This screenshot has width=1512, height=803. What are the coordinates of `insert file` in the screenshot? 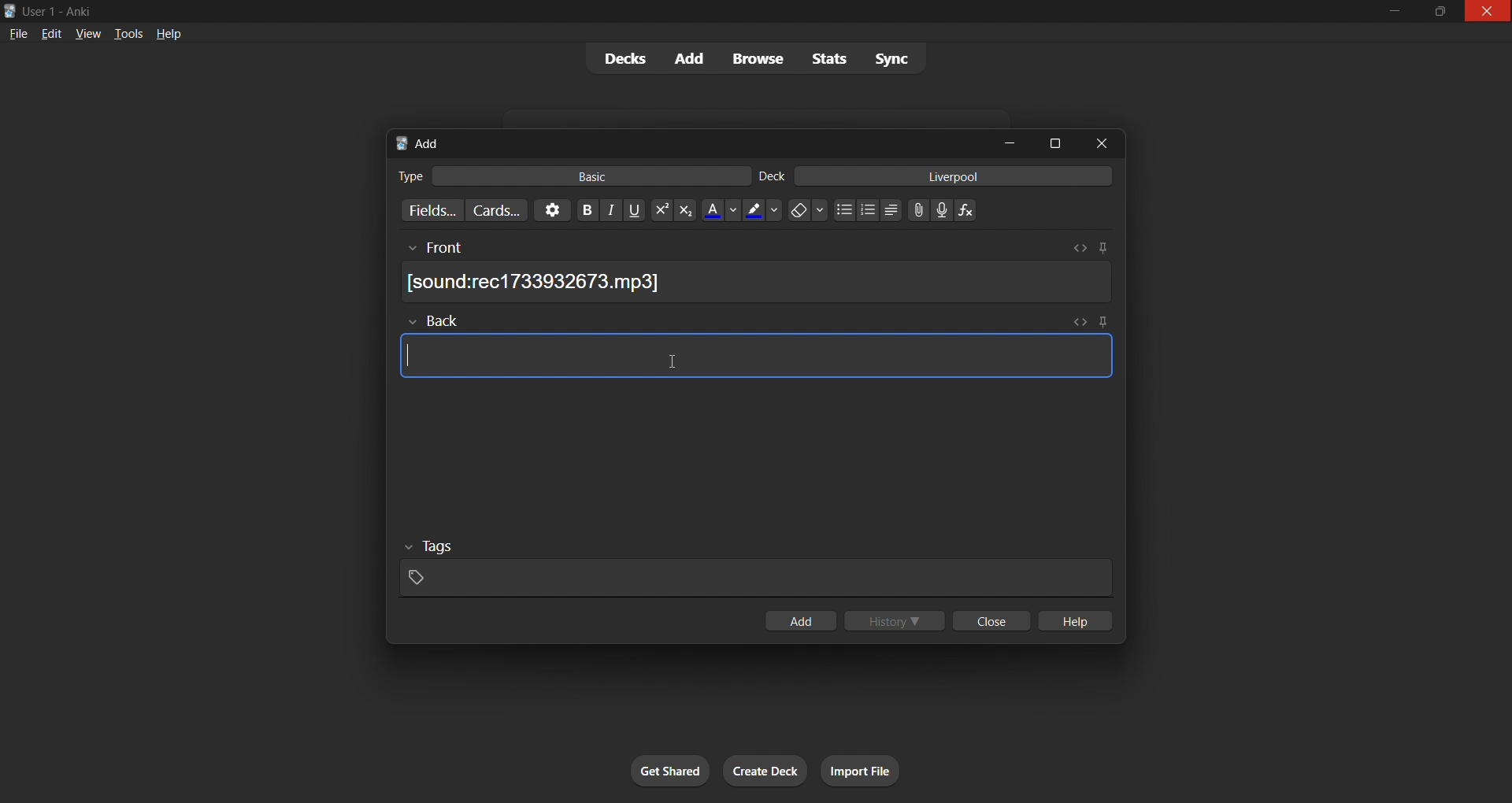 It's located at (913, 208).